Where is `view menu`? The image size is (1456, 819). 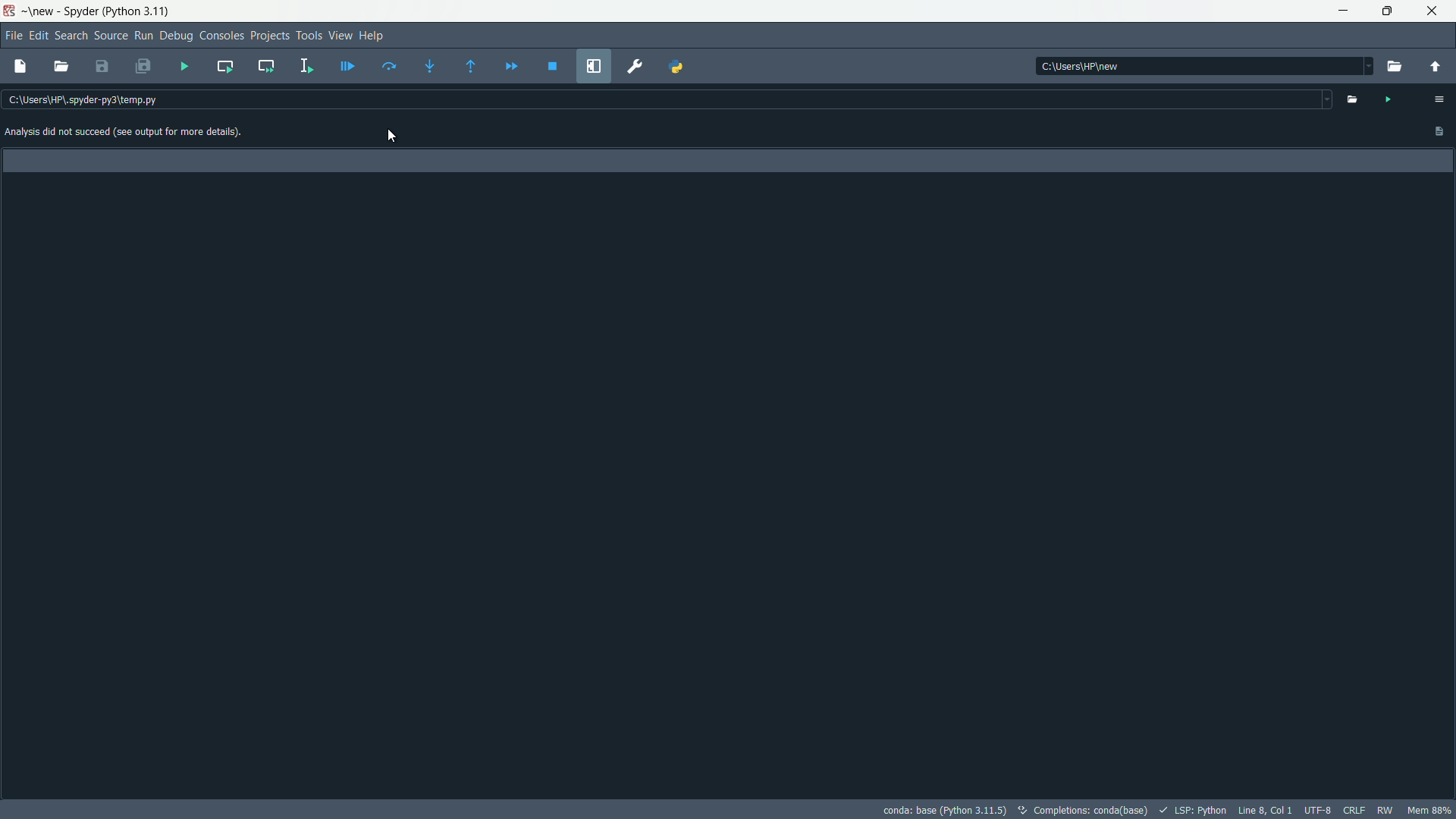
view menu is located at coordinates (338, 37).